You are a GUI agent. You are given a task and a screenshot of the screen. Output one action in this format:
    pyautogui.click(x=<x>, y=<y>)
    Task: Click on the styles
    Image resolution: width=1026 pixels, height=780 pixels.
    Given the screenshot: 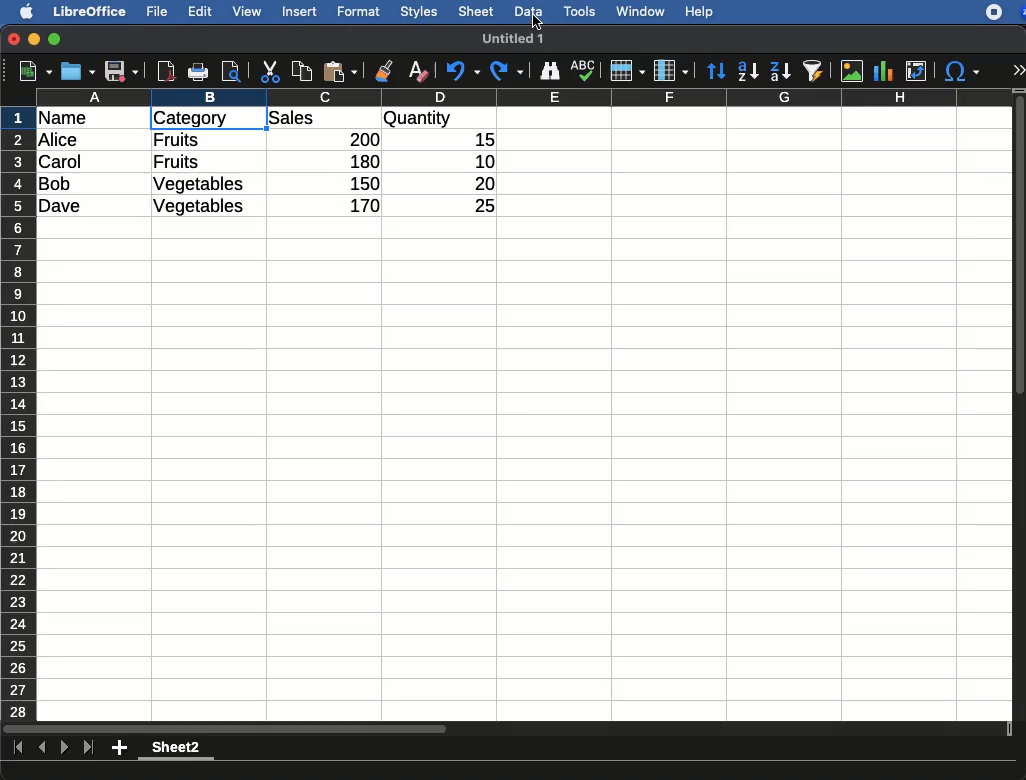 What is the action you would take?
    pyautogui.click(x=417, y=14)
    